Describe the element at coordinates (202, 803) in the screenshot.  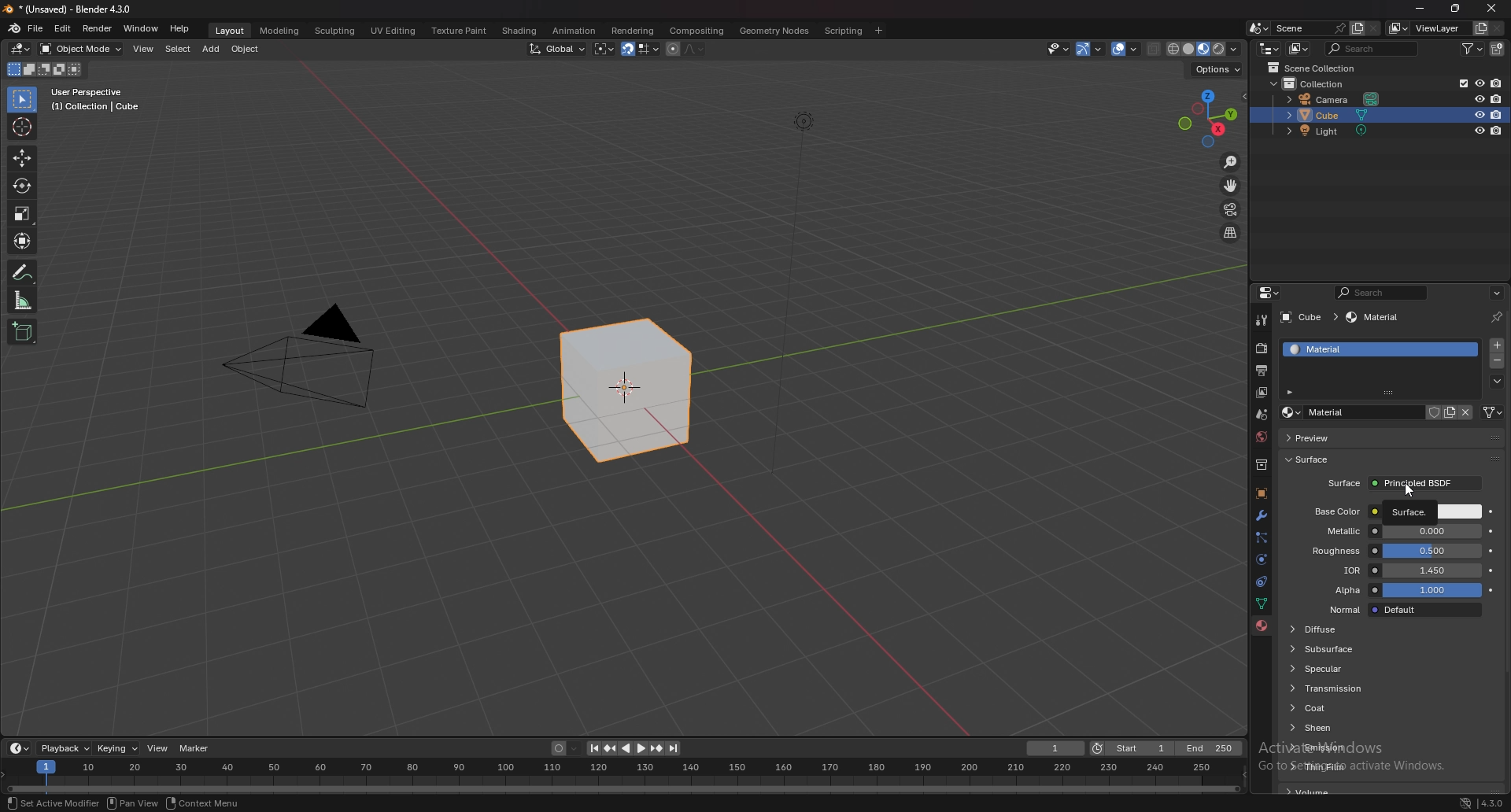
I see `` at that location.